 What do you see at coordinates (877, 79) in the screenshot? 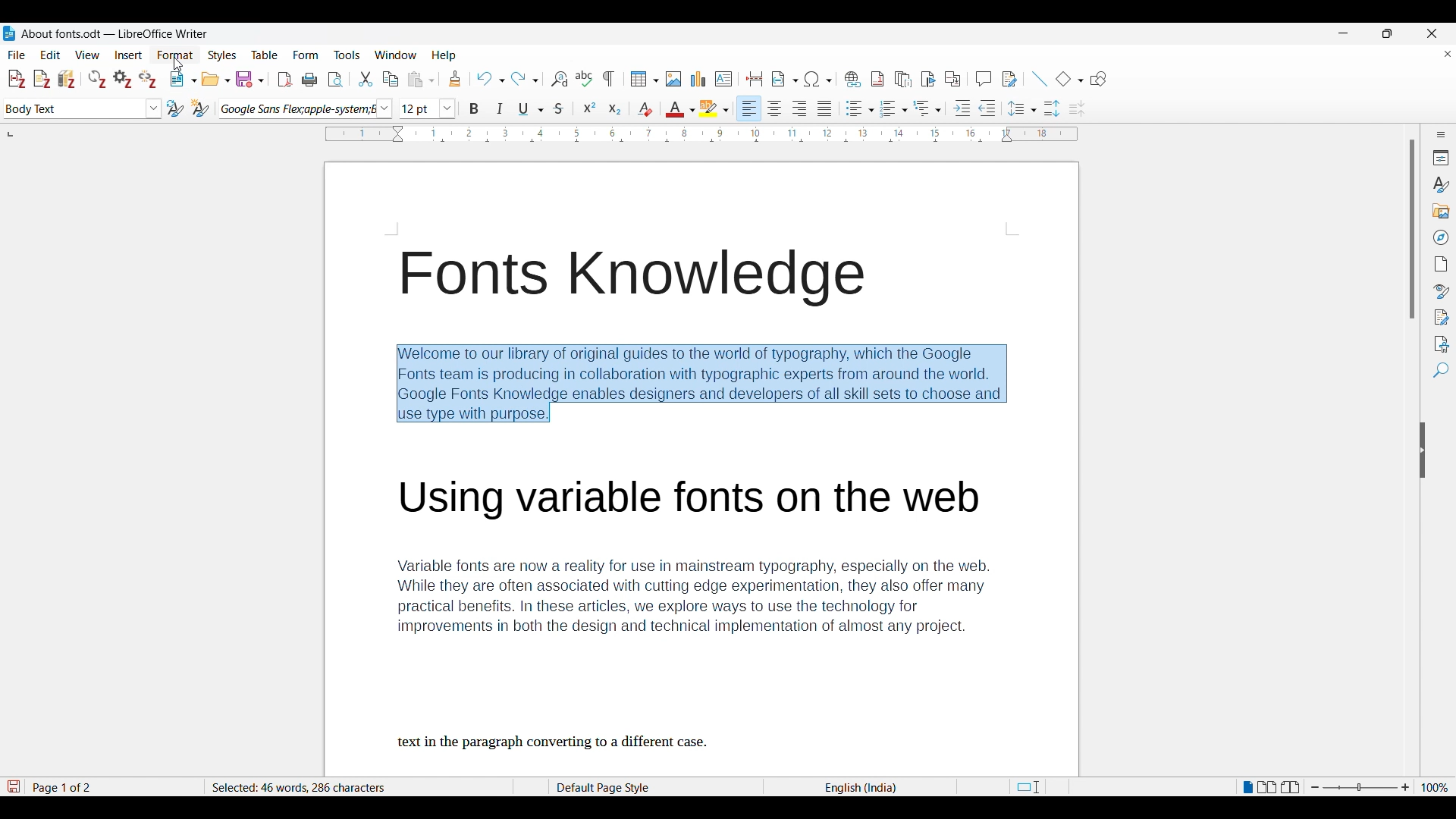
I see `Insert footnote` at bounding box center [877, 79].